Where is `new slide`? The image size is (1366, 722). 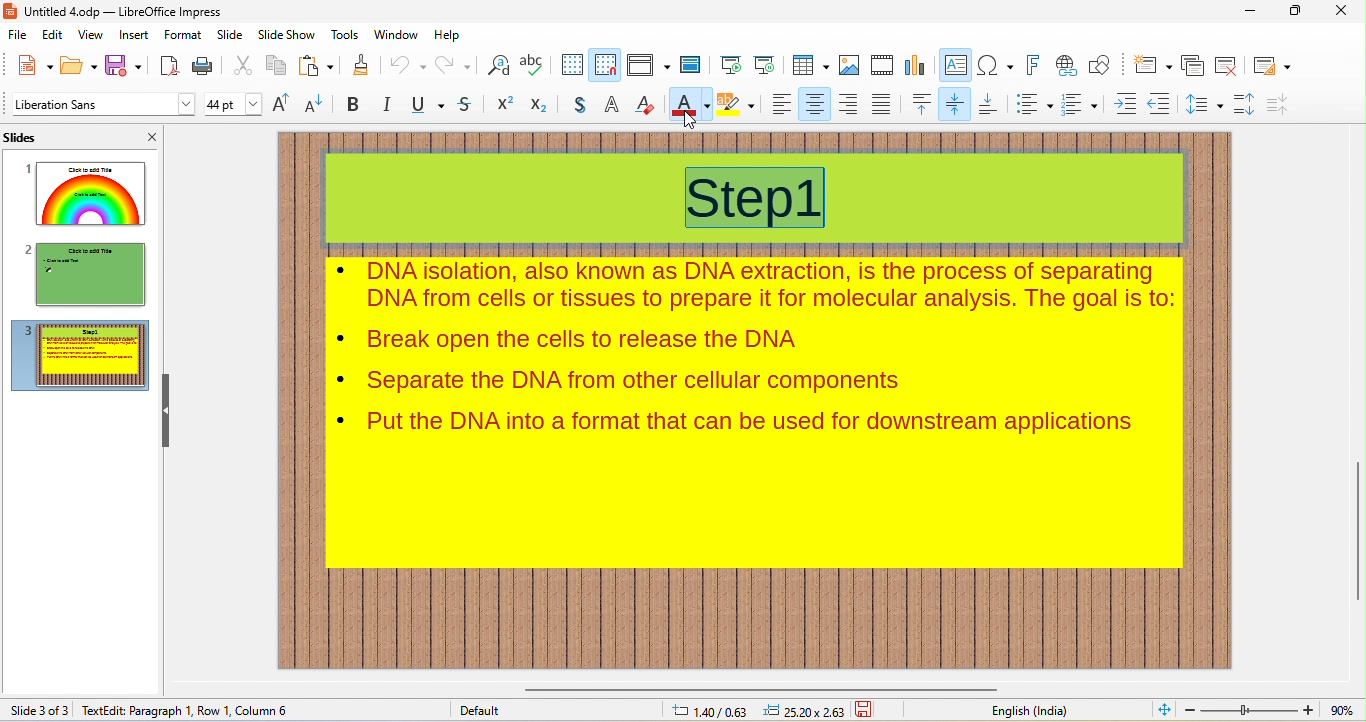
new slide is located at coordinates (1153, 65).